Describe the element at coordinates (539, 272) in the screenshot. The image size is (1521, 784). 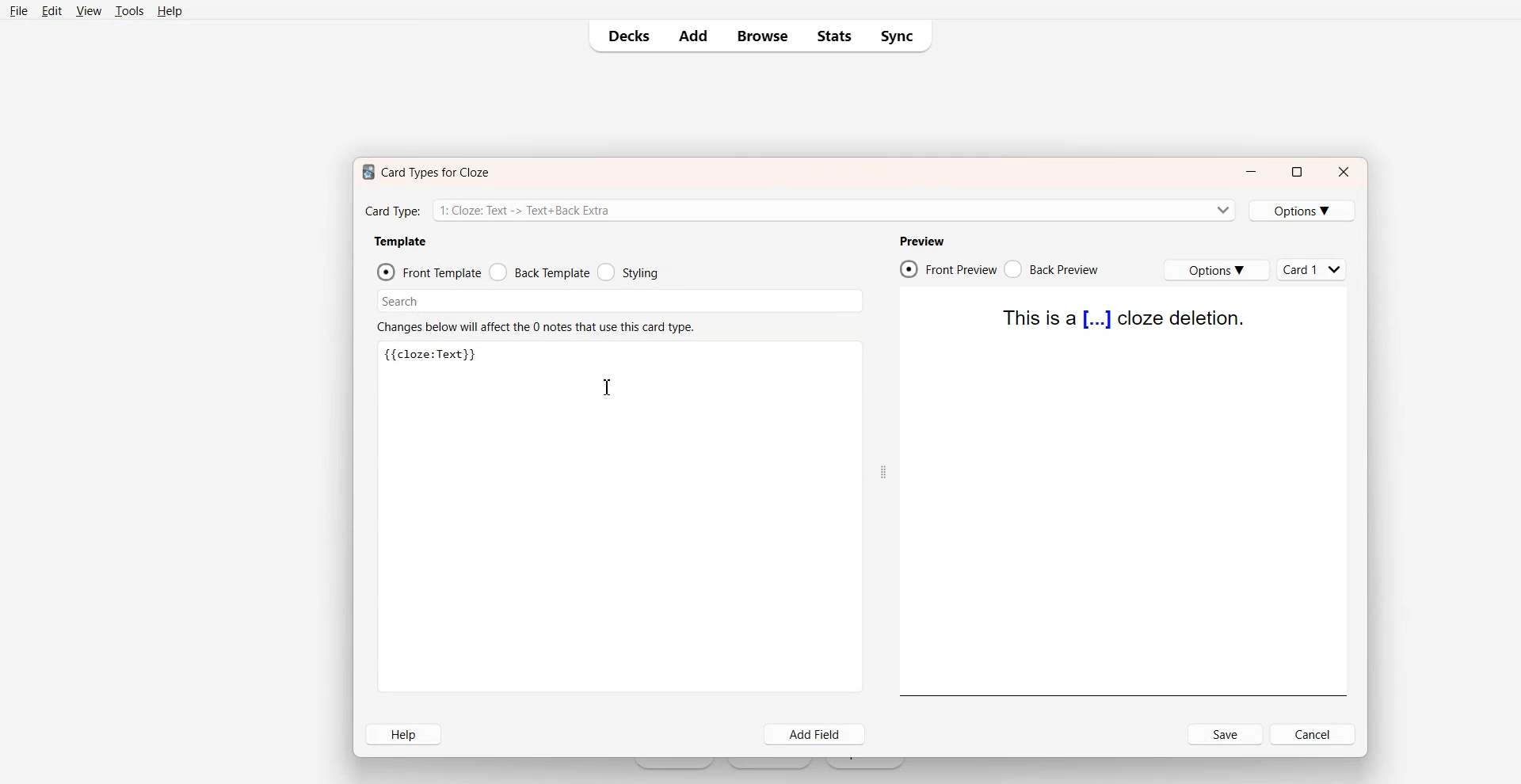
I see `Back Template` at that location.